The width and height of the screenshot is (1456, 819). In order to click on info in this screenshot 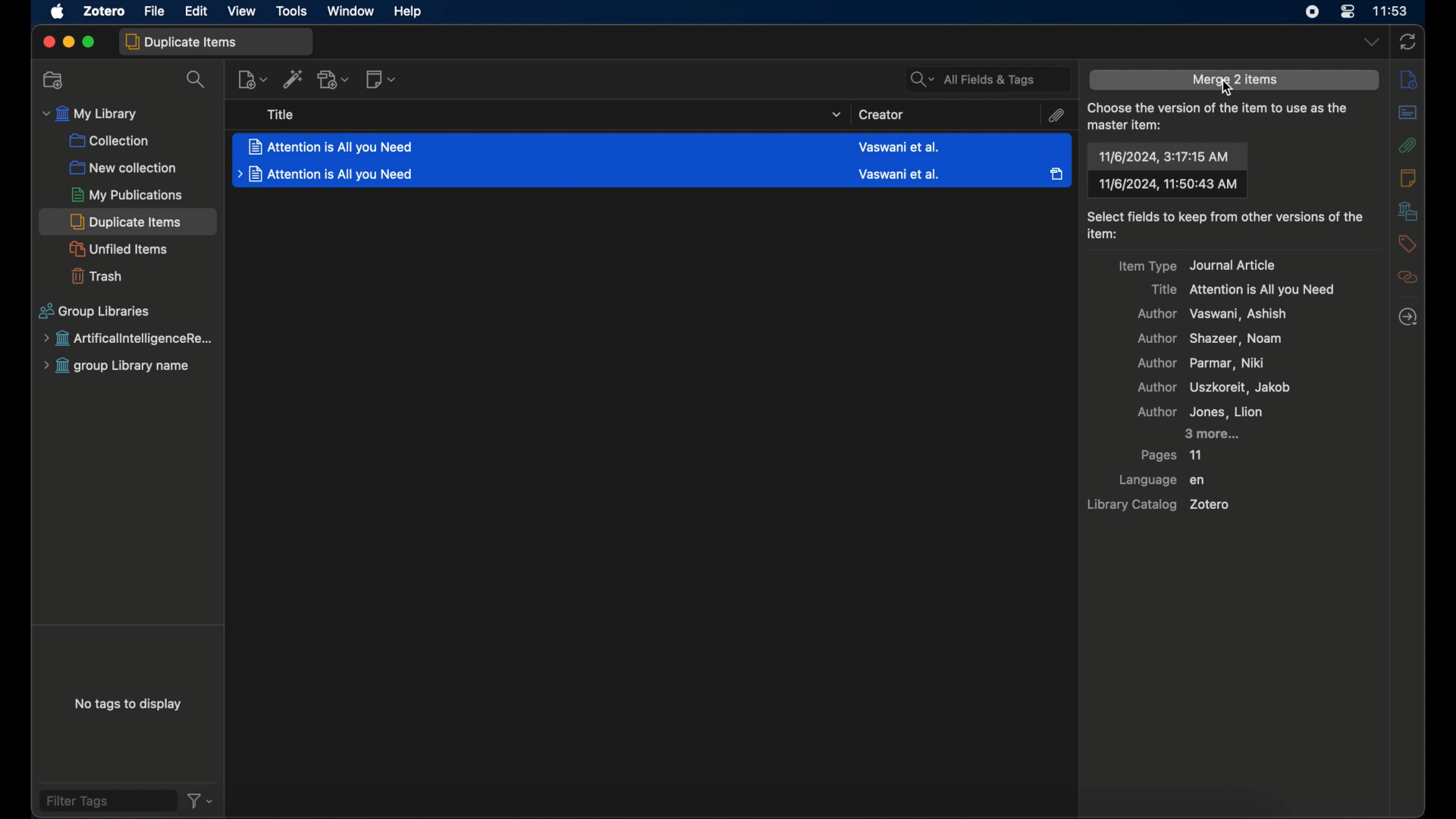, I will do `click(1410, 80)`.